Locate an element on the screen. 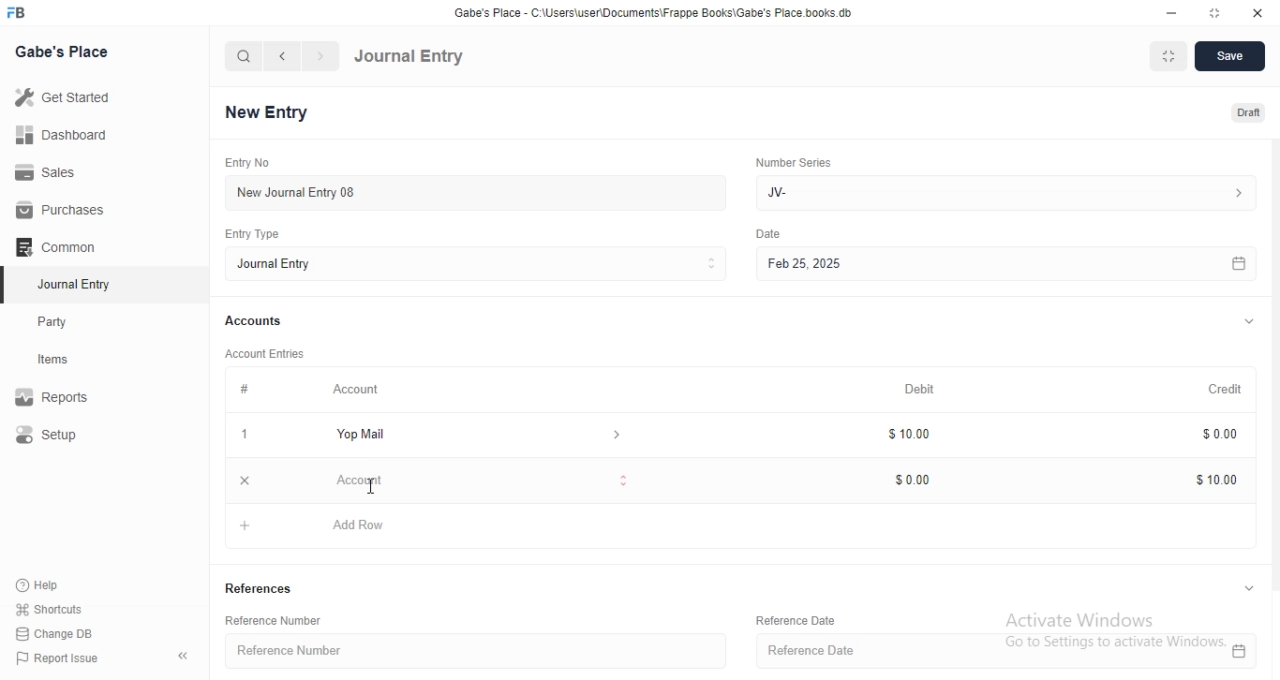  navigate forward is located at coordinates (321, 56).